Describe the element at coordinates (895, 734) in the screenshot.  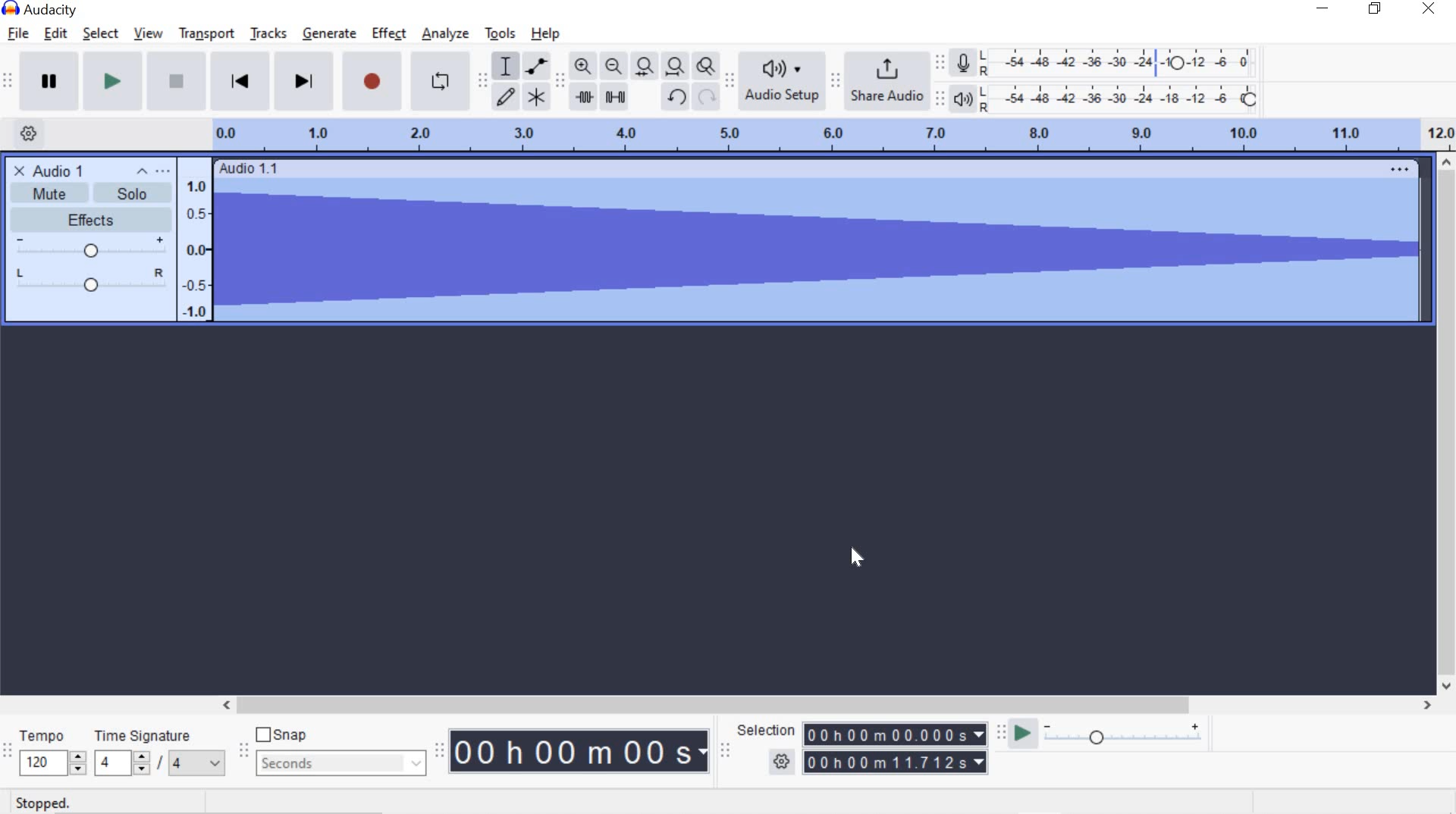
I see `time selection` at that location.